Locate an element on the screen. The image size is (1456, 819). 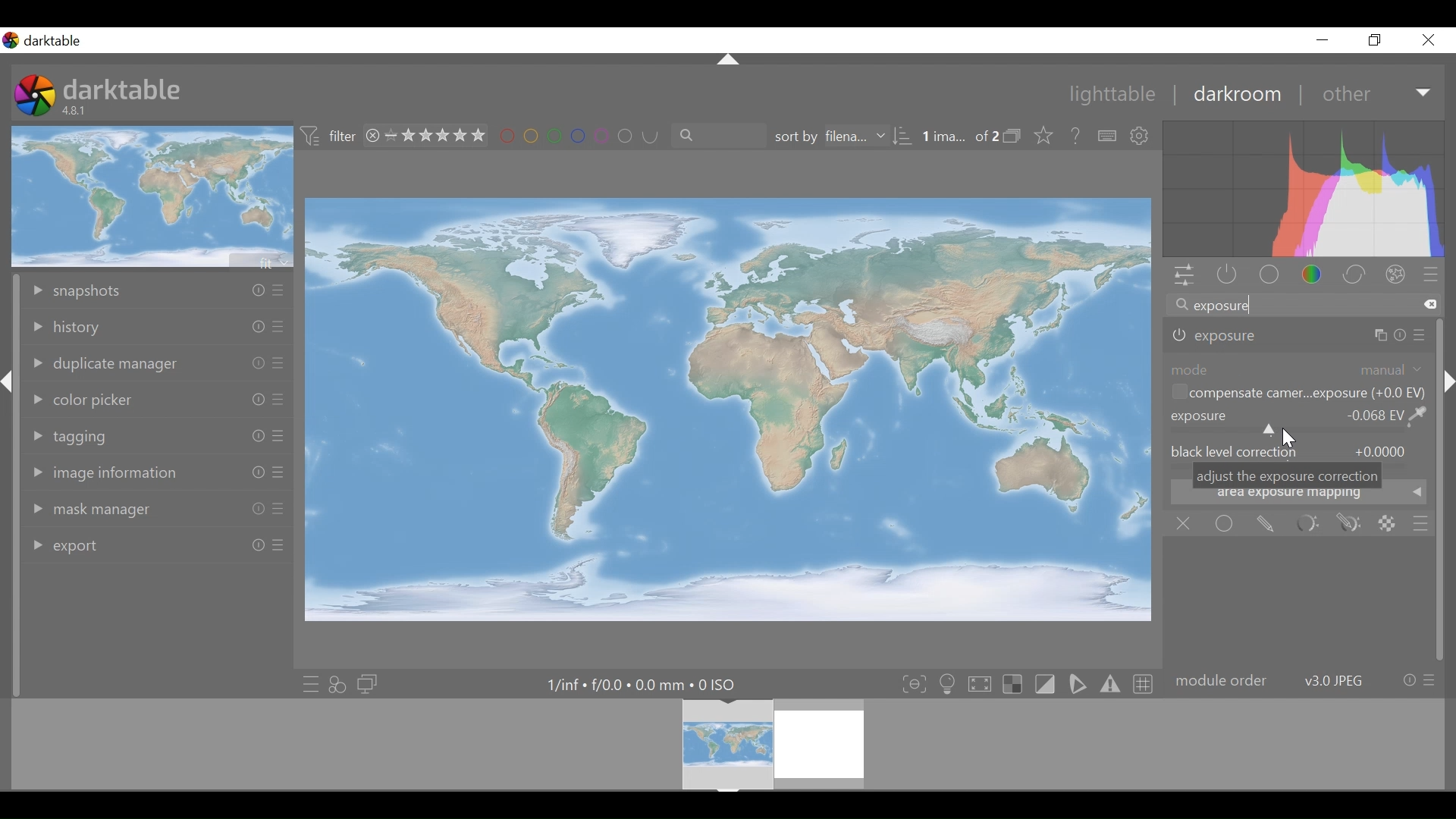
range filtering is located at coordinates (422, 136).